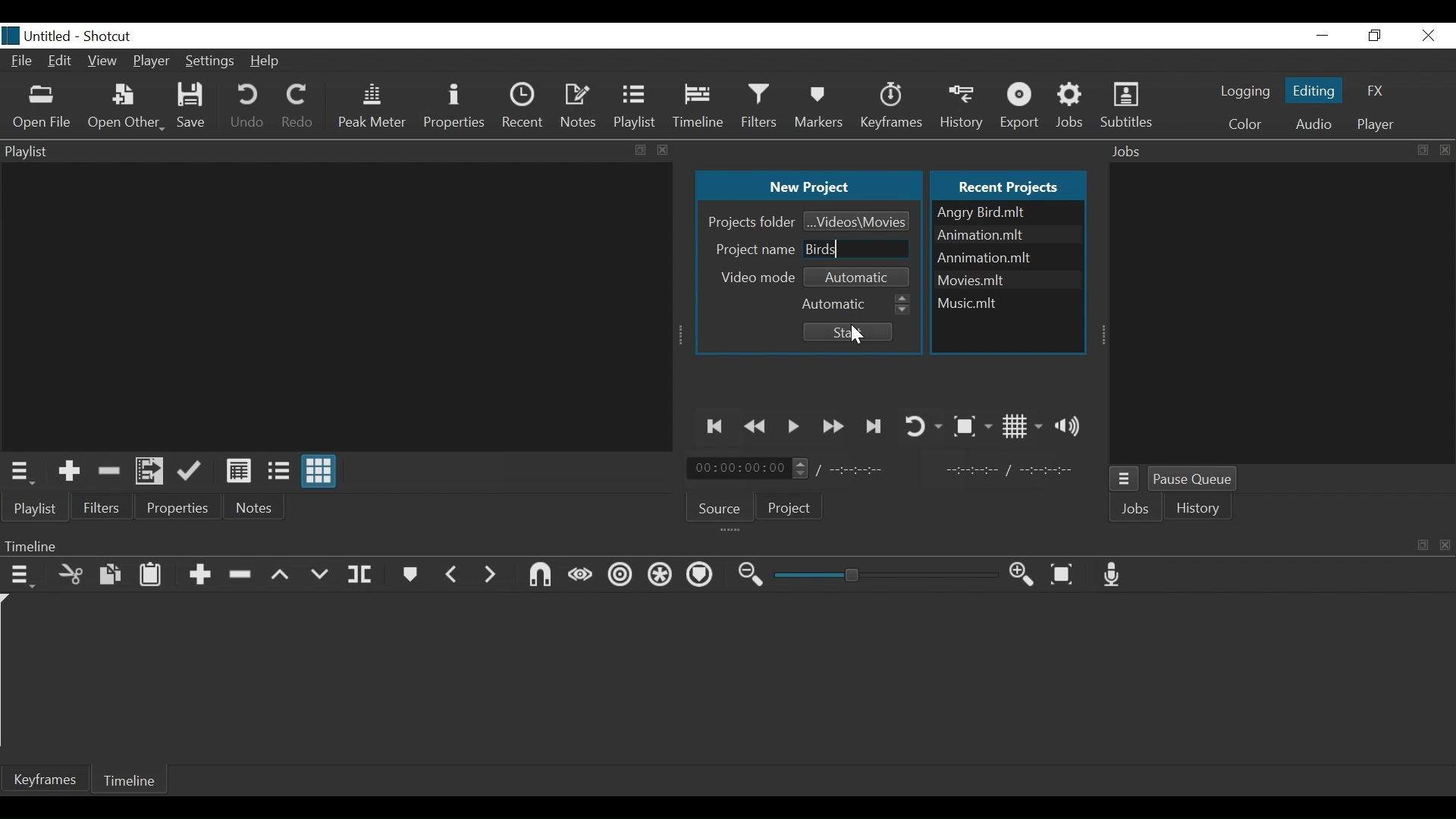 This screenshot has height=819, width=1456. What do you see at coordinates (69, 471) in the screenshot?
I see `Add the Source to the playlist` at bounding box center [69, 471].